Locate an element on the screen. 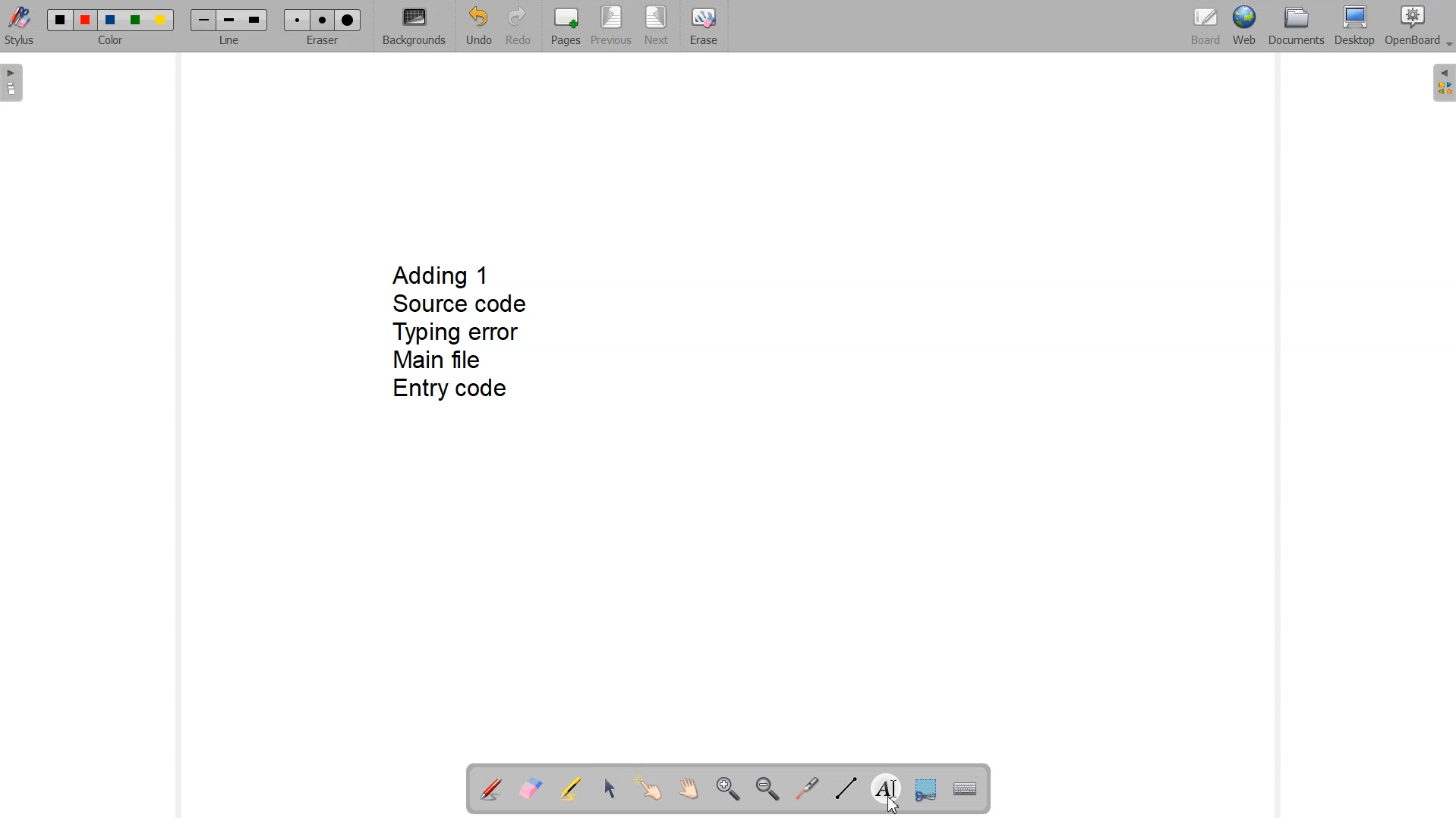  Virtual laser pointer is located at coordinates (807, 788).